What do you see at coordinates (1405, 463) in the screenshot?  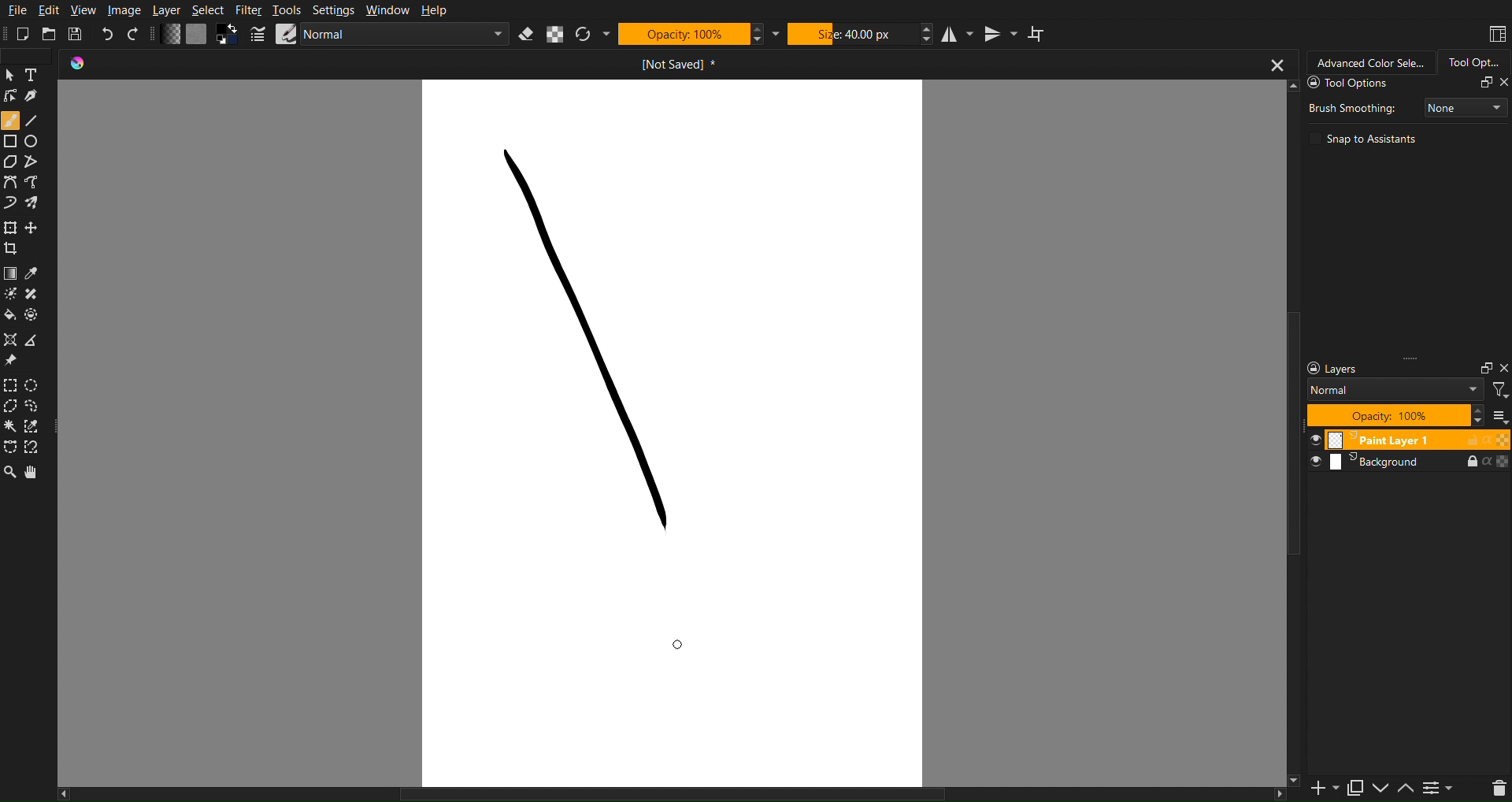 I see `Layers` at bounding box center [1405, 463].